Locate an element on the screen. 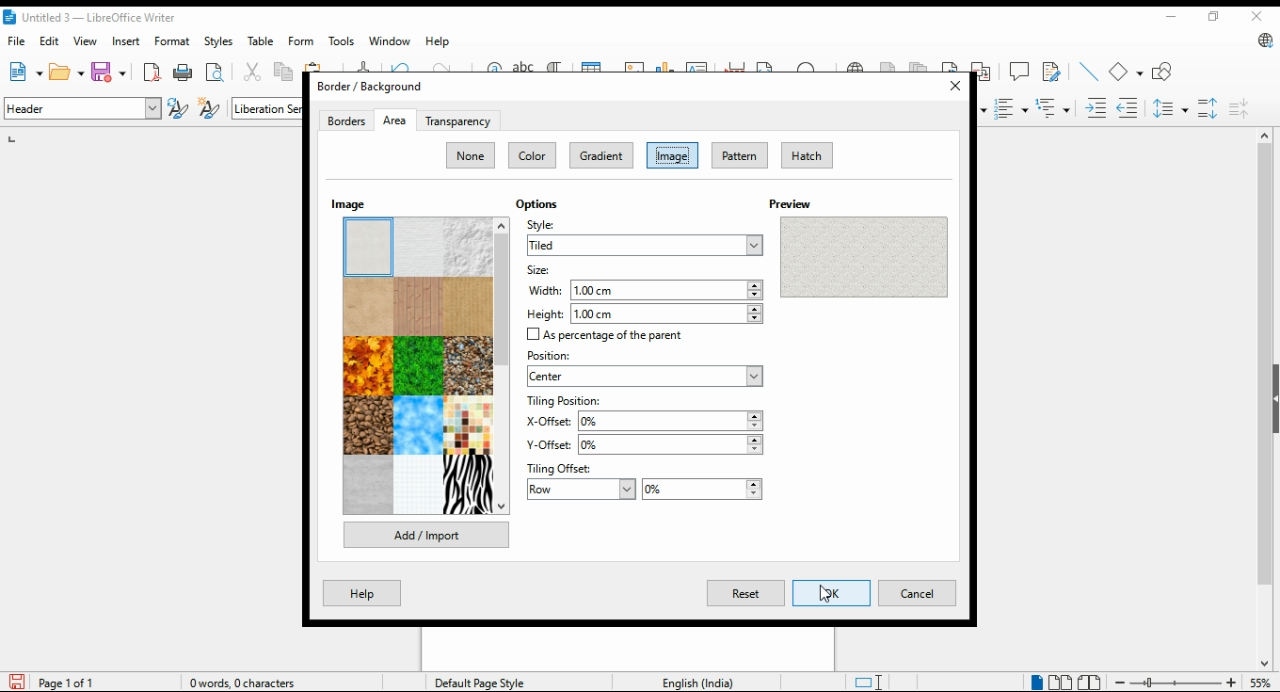 This screenshot has height=692, width=1280. copy is located at coordinates (285, 73).